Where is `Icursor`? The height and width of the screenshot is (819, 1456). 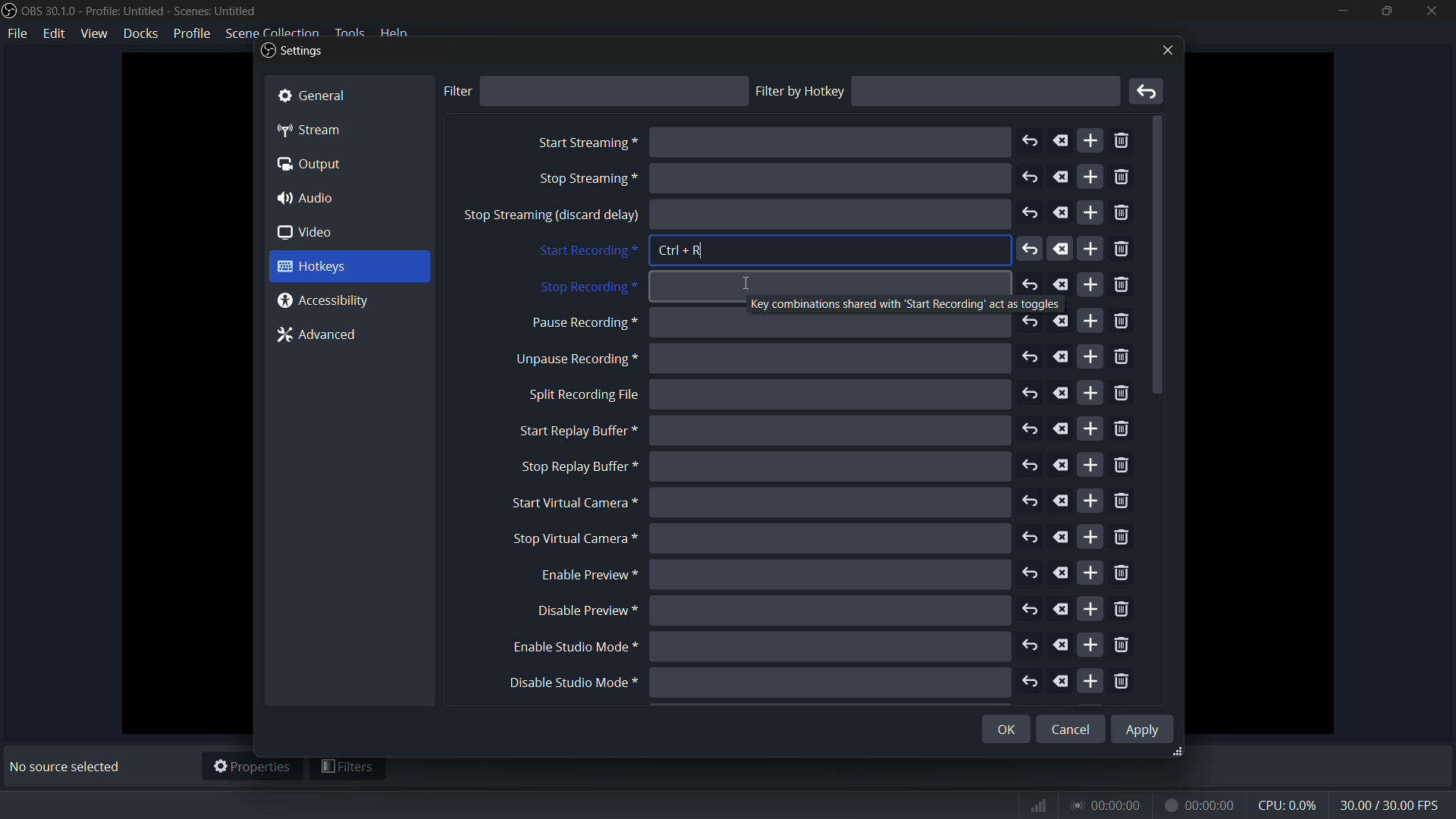
Icursor is located at coordinates (747, 276).